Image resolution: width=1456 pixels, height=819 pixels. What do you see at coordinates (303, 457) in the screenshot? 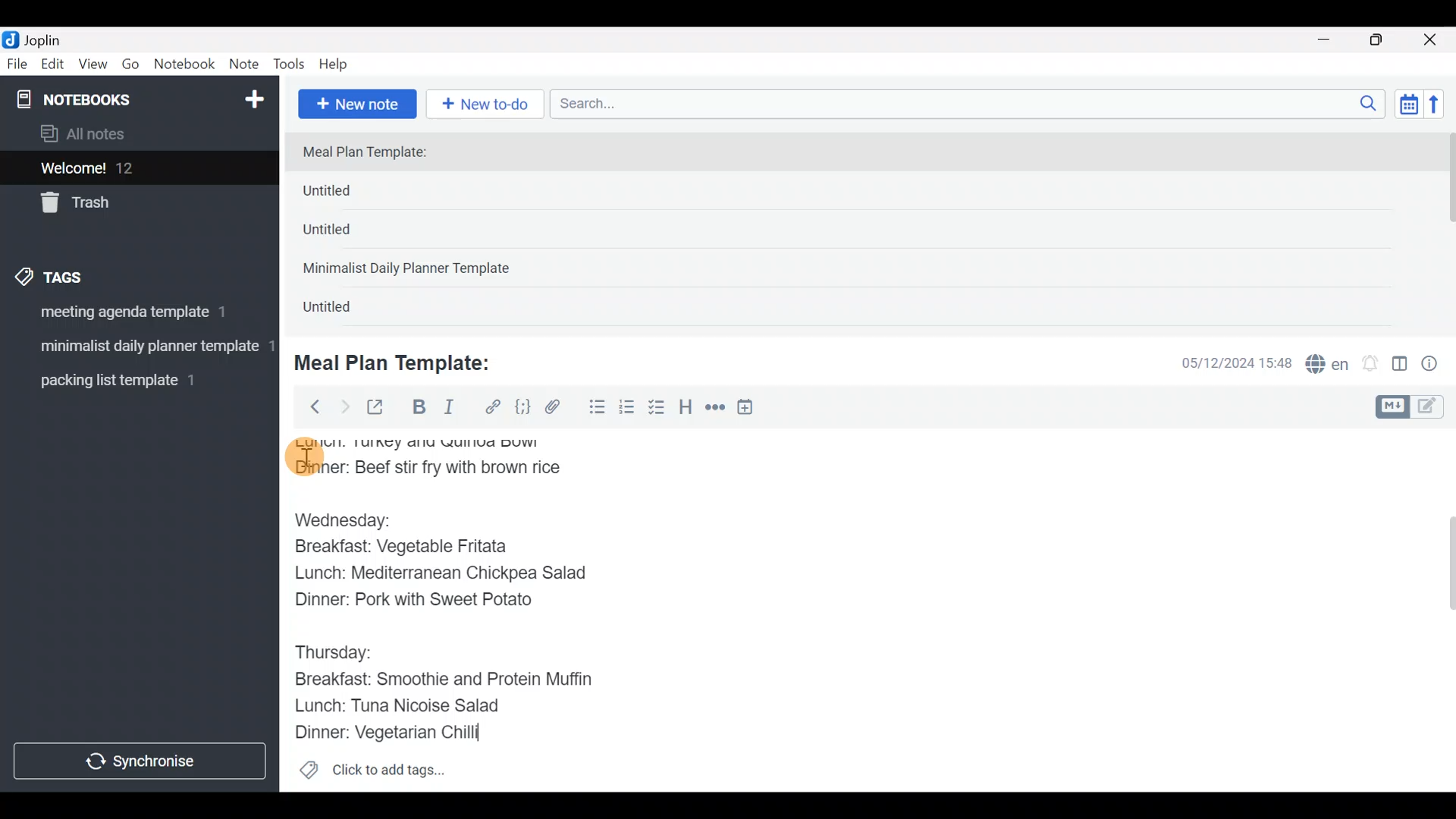
I see `cursor` at bounding box center [303, 457].